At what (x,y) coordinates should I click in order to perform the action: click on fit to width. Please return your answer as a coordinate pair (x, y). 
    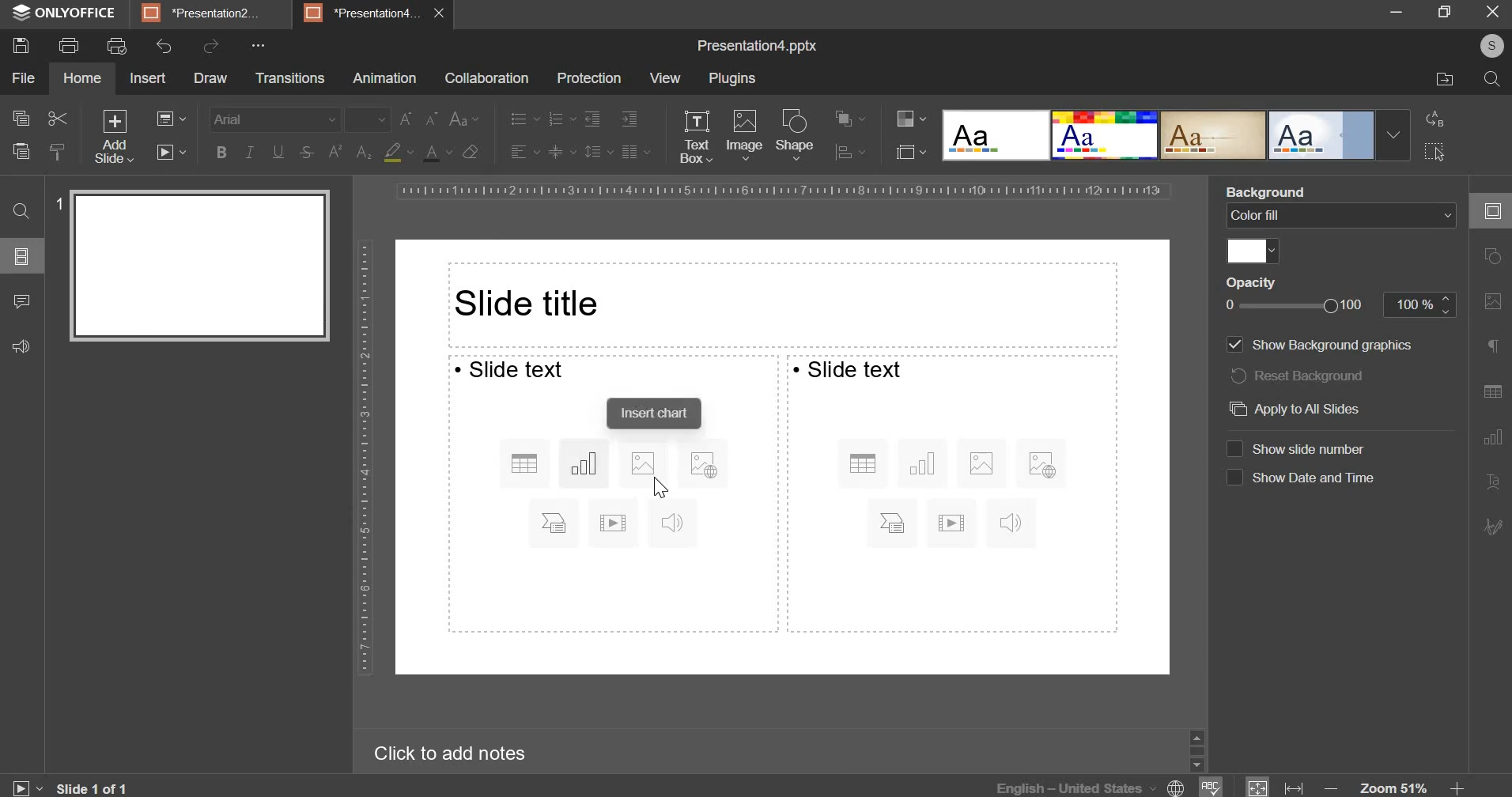
    Looking at the image, I should click on (1295, 788).